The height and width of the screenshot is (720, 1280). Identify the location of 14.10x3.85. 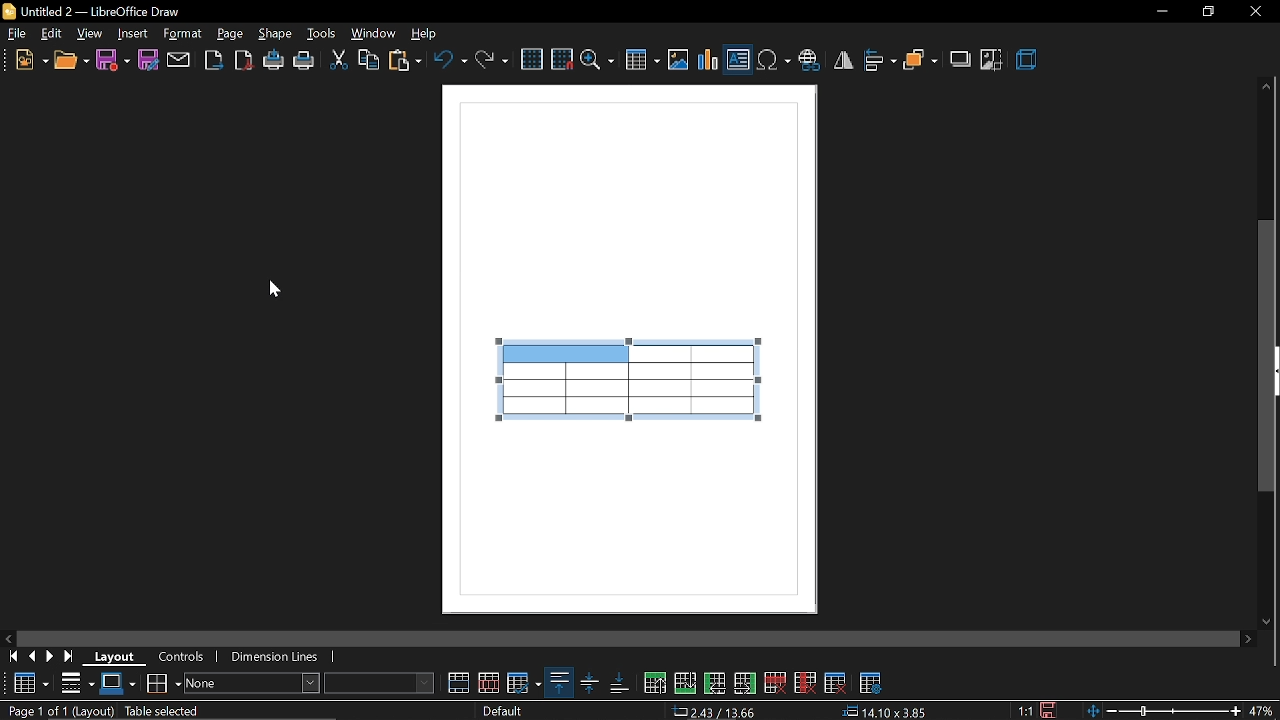
(886, 713).